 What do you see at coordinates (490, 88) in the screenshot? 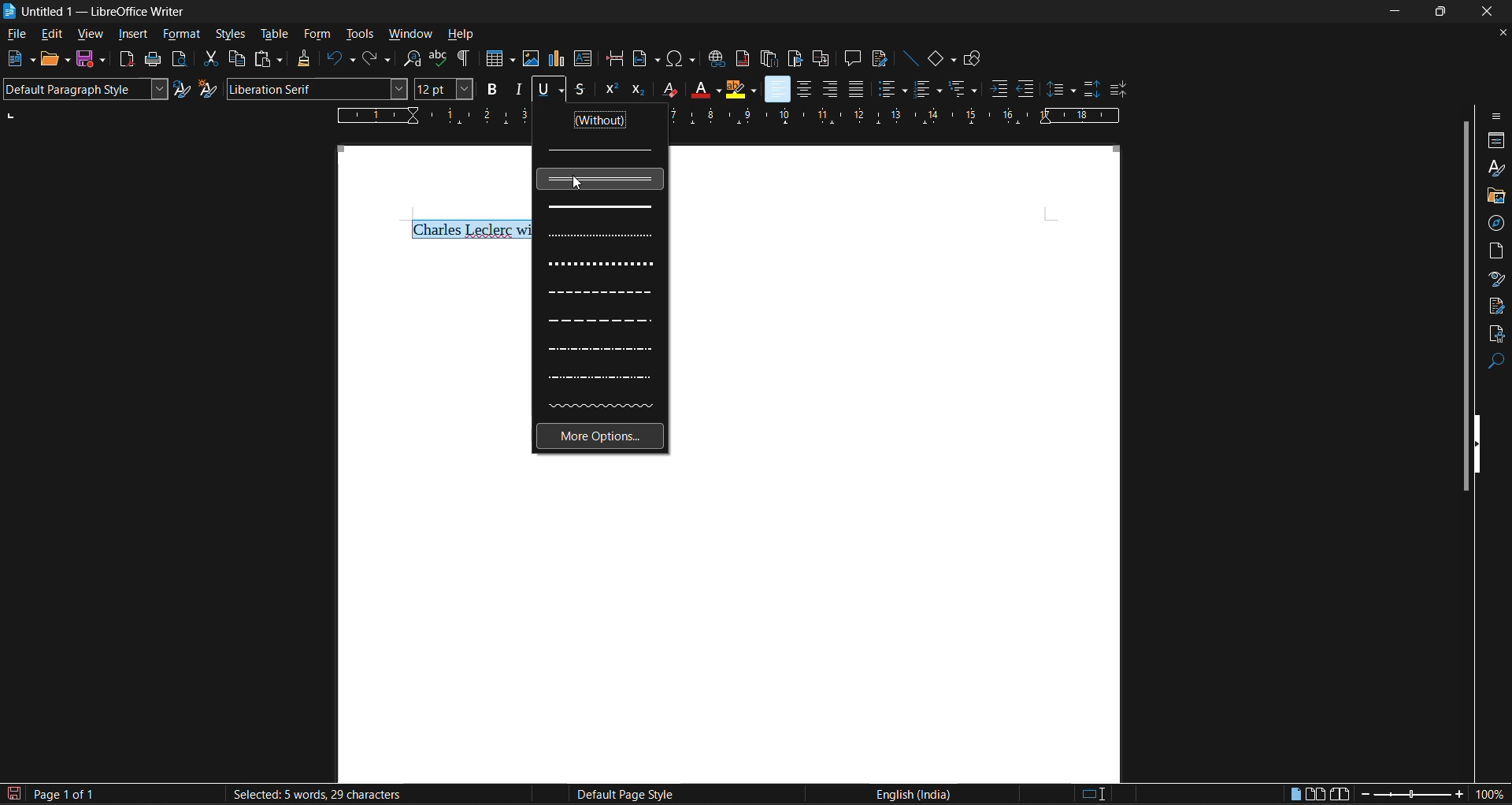
I see `bold` at bounding box center [490, 88].